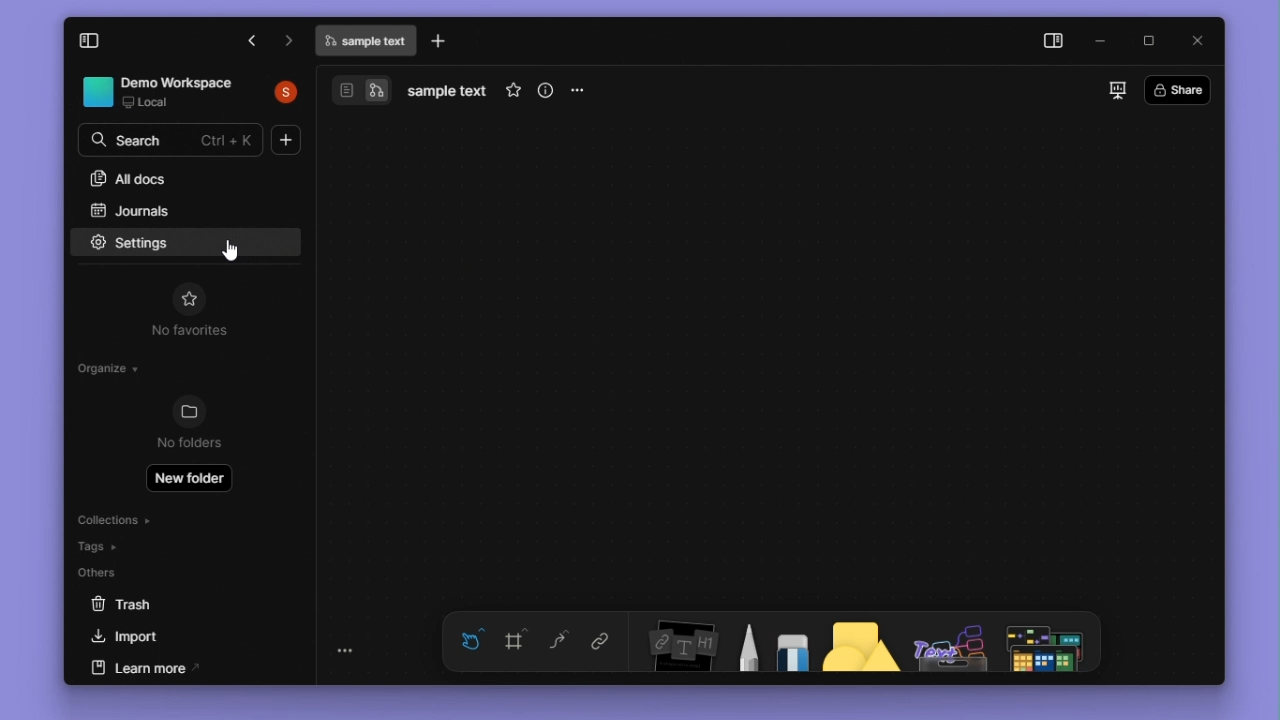 This screenshot has width=1280, height=720. I want to click on All docs, so click(174, 181).